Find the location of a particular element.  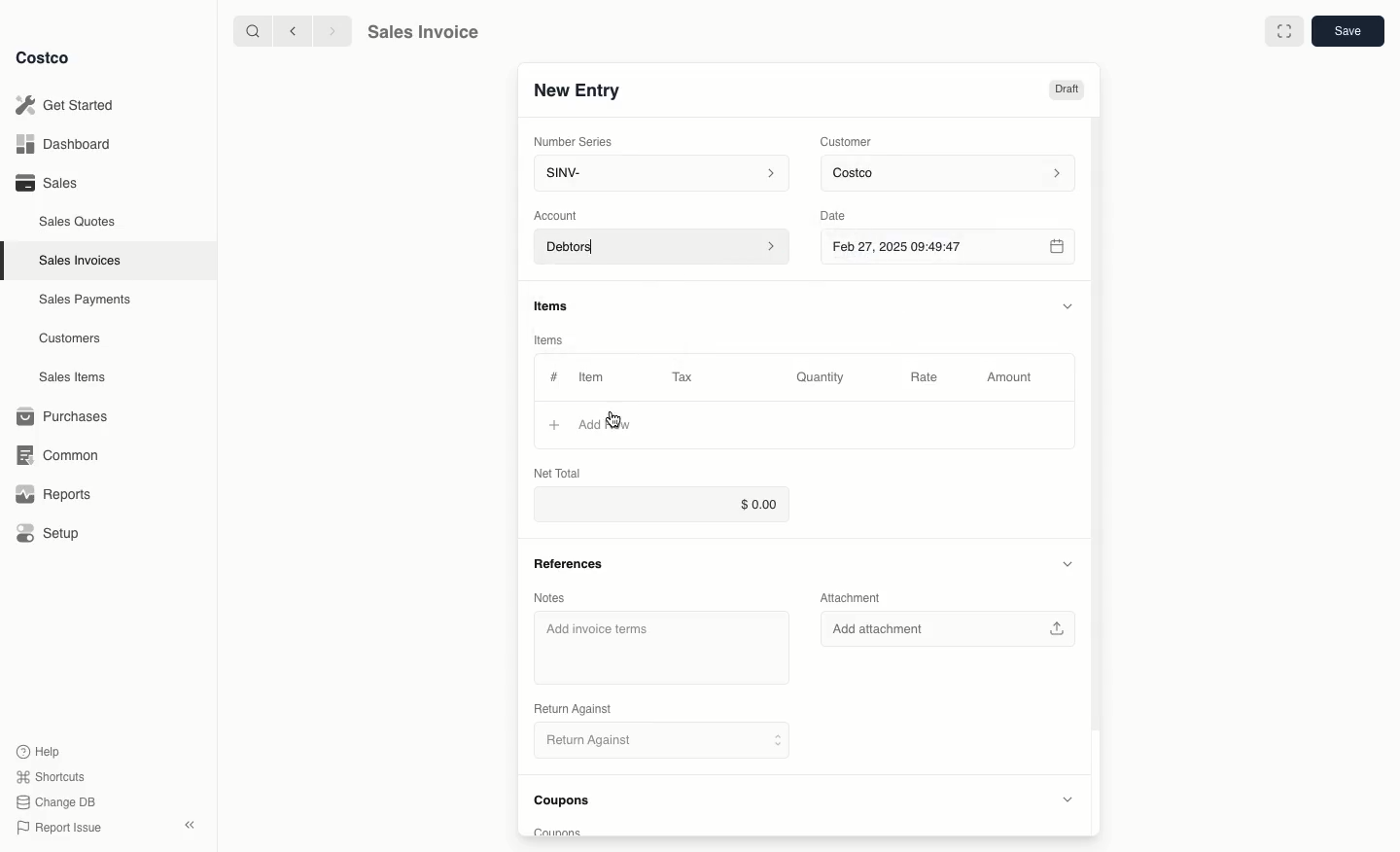

Tax is located at coordinates (687, 376).